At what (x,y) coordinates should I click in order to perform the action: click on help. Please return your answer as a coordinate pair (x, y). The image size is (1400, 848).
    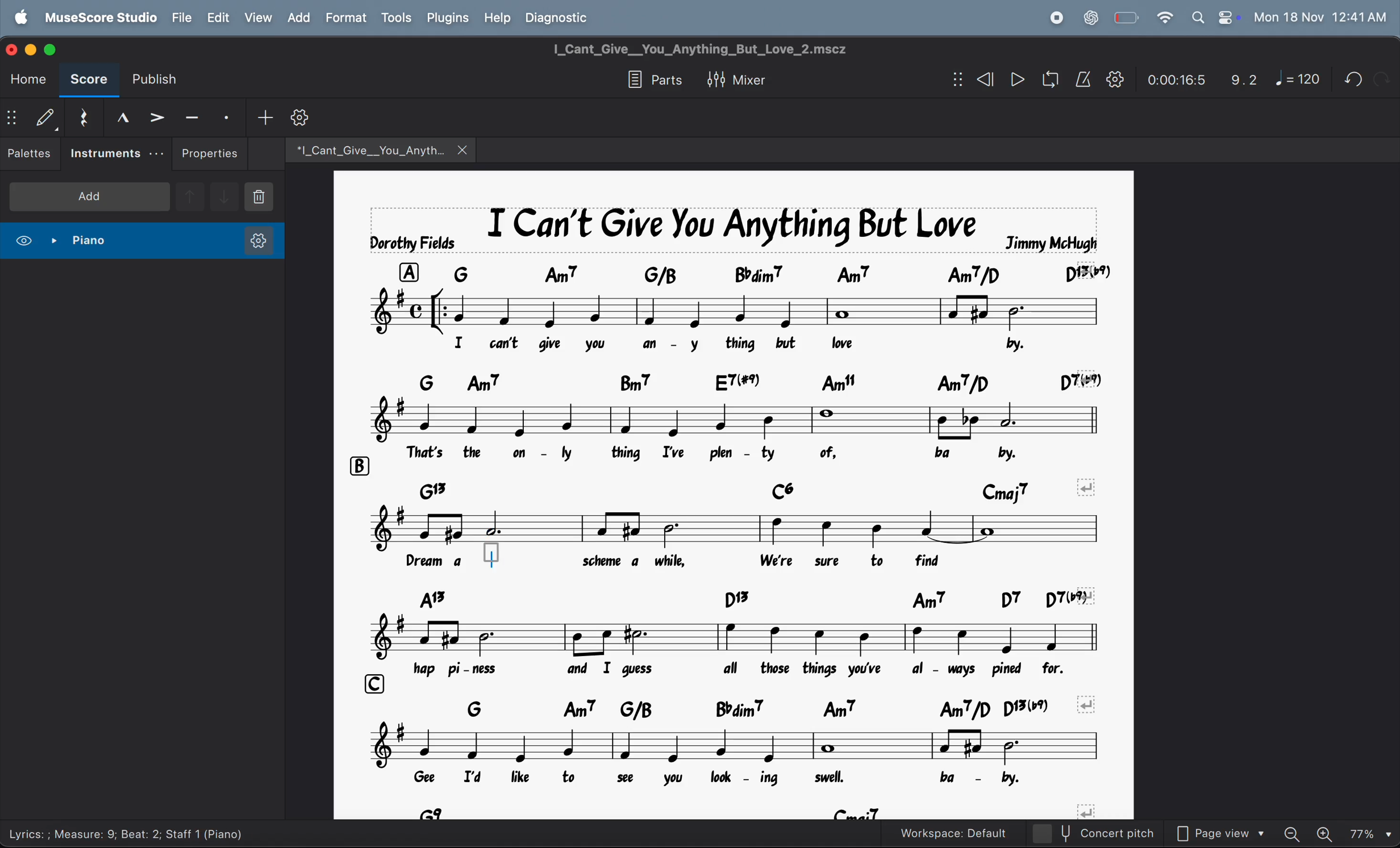
    Looking at the image, I should click on (497, 18).